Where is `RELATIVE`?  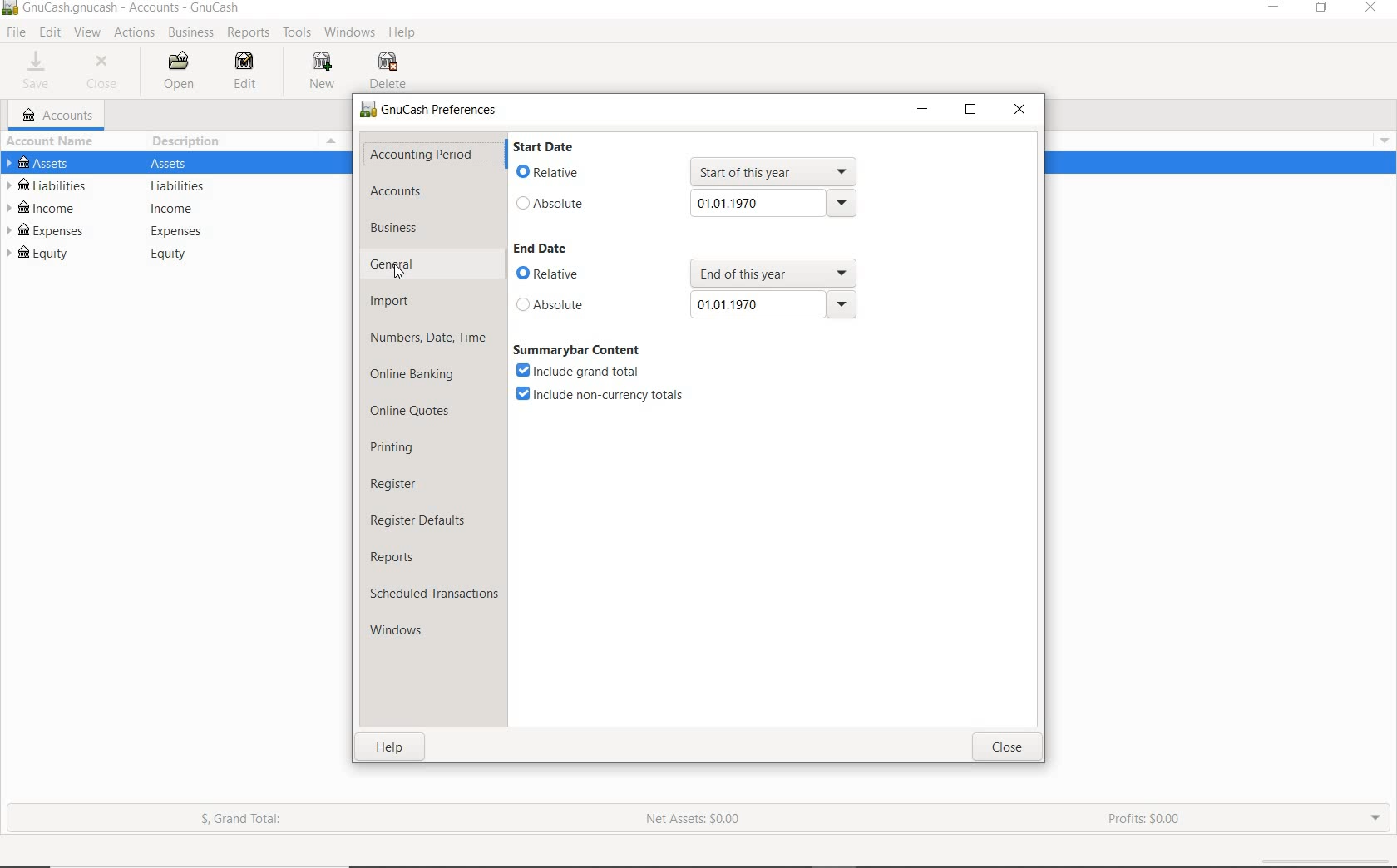
RELATIVE is located at coordinates (571, 274).